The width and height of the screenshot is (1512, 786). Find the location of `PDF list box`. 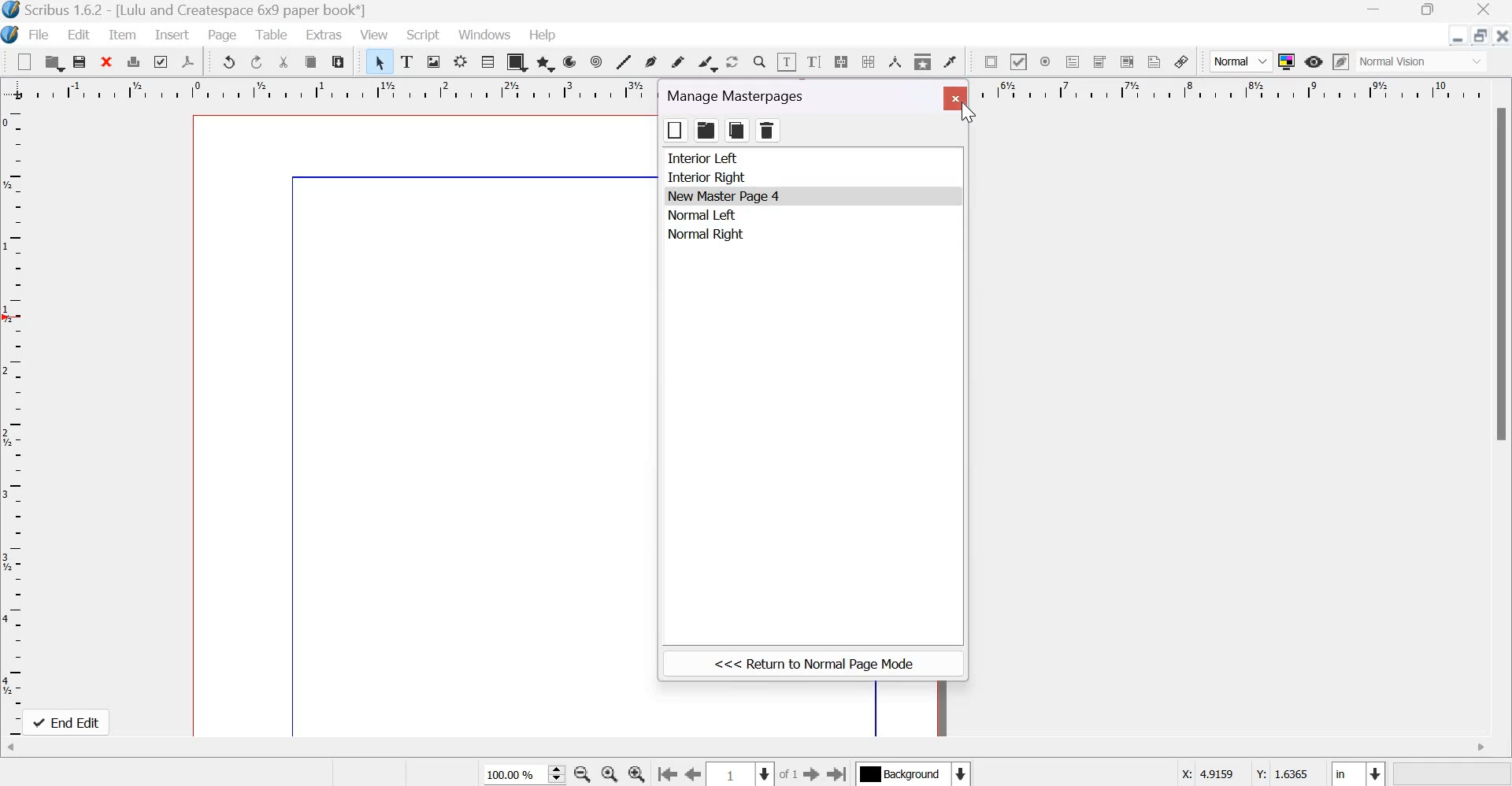

PDF list box is located at coordinates (1128, 61).